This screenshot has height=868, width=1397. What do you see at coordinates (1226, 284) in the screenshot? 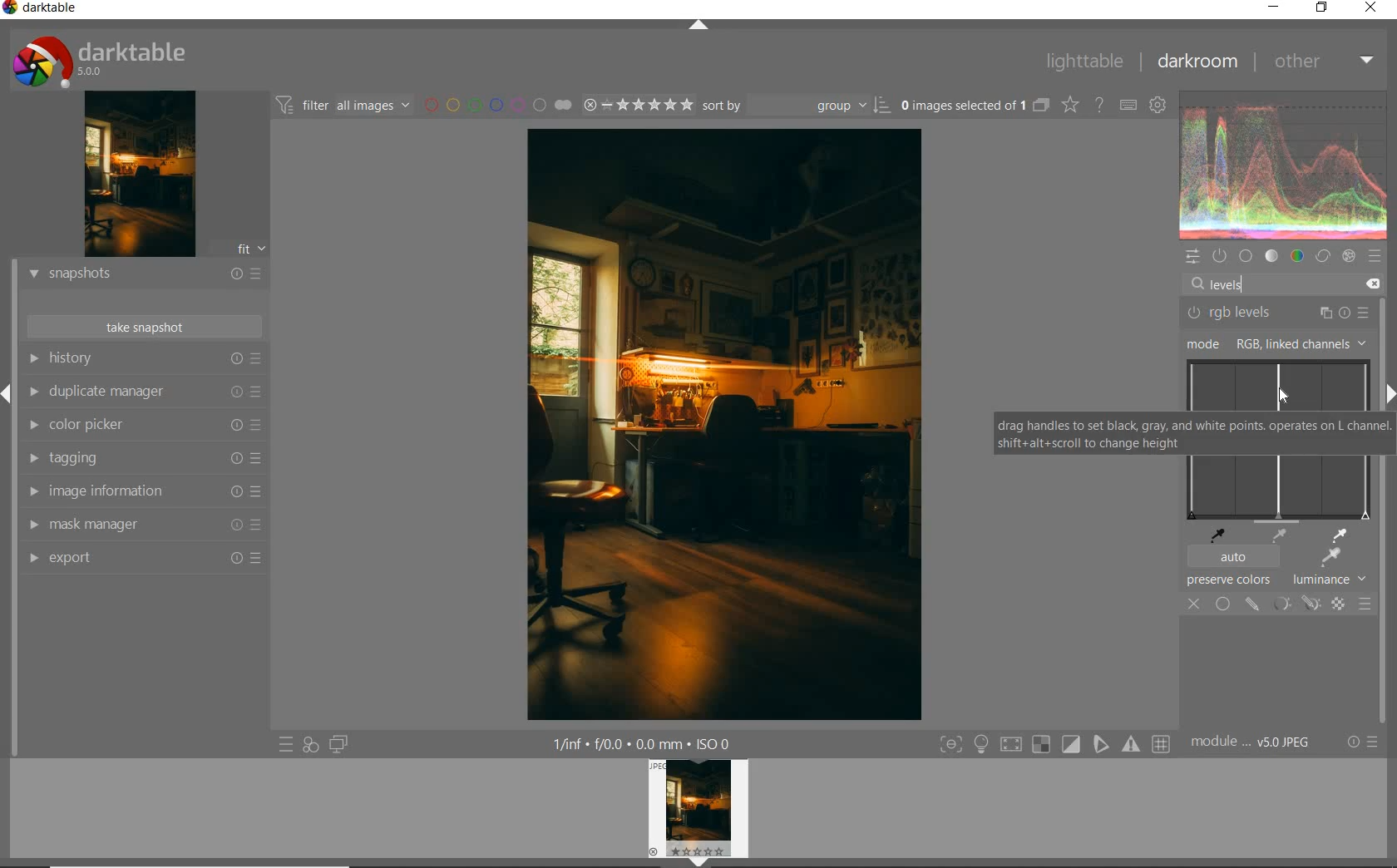
I see `levels` at bounding box center [1226, 284].